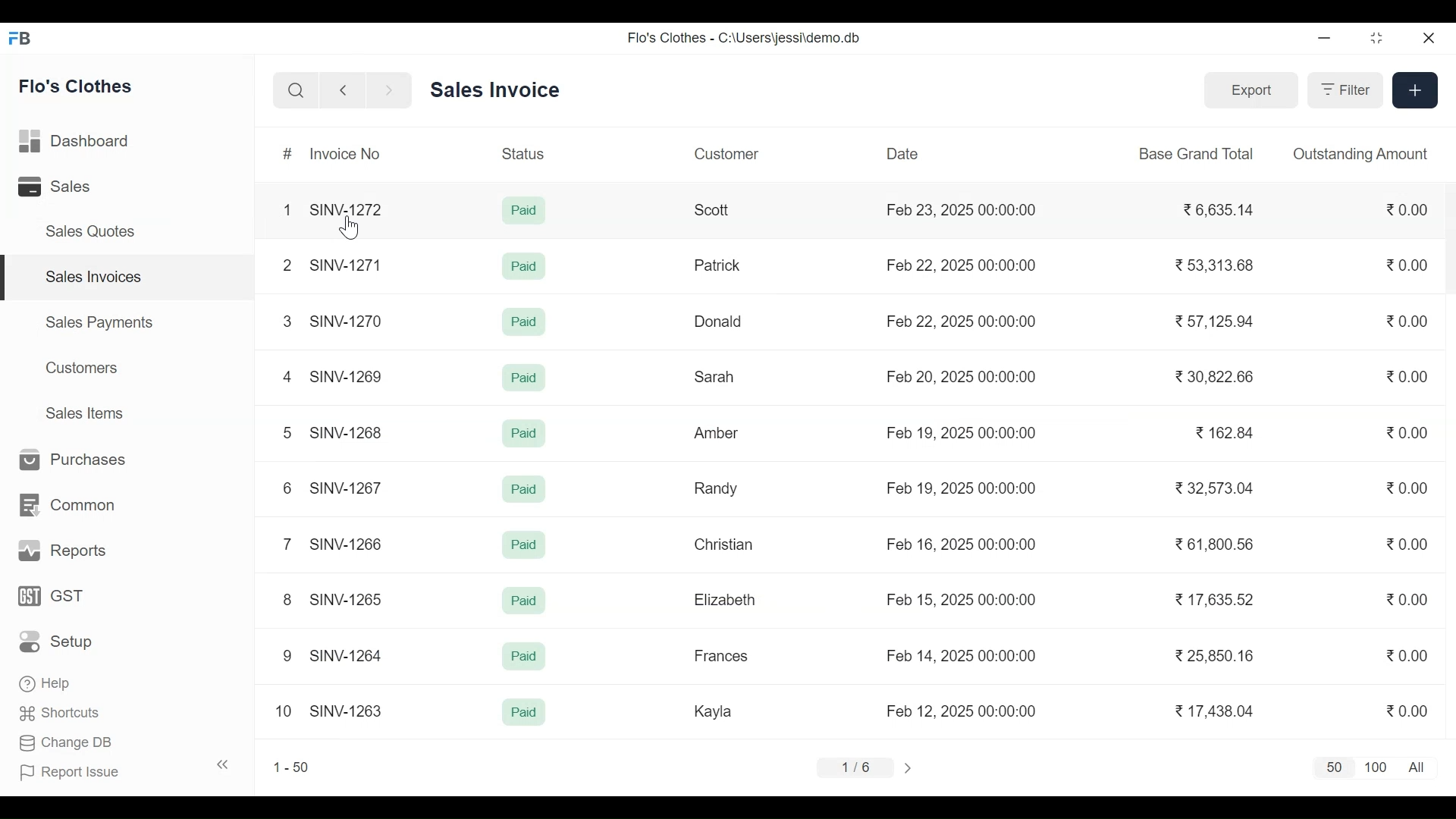 This screenshot has height=819, width=1456. Describe the element at coordinates (1377, 767) in the screenshot. I see `100` at that location.